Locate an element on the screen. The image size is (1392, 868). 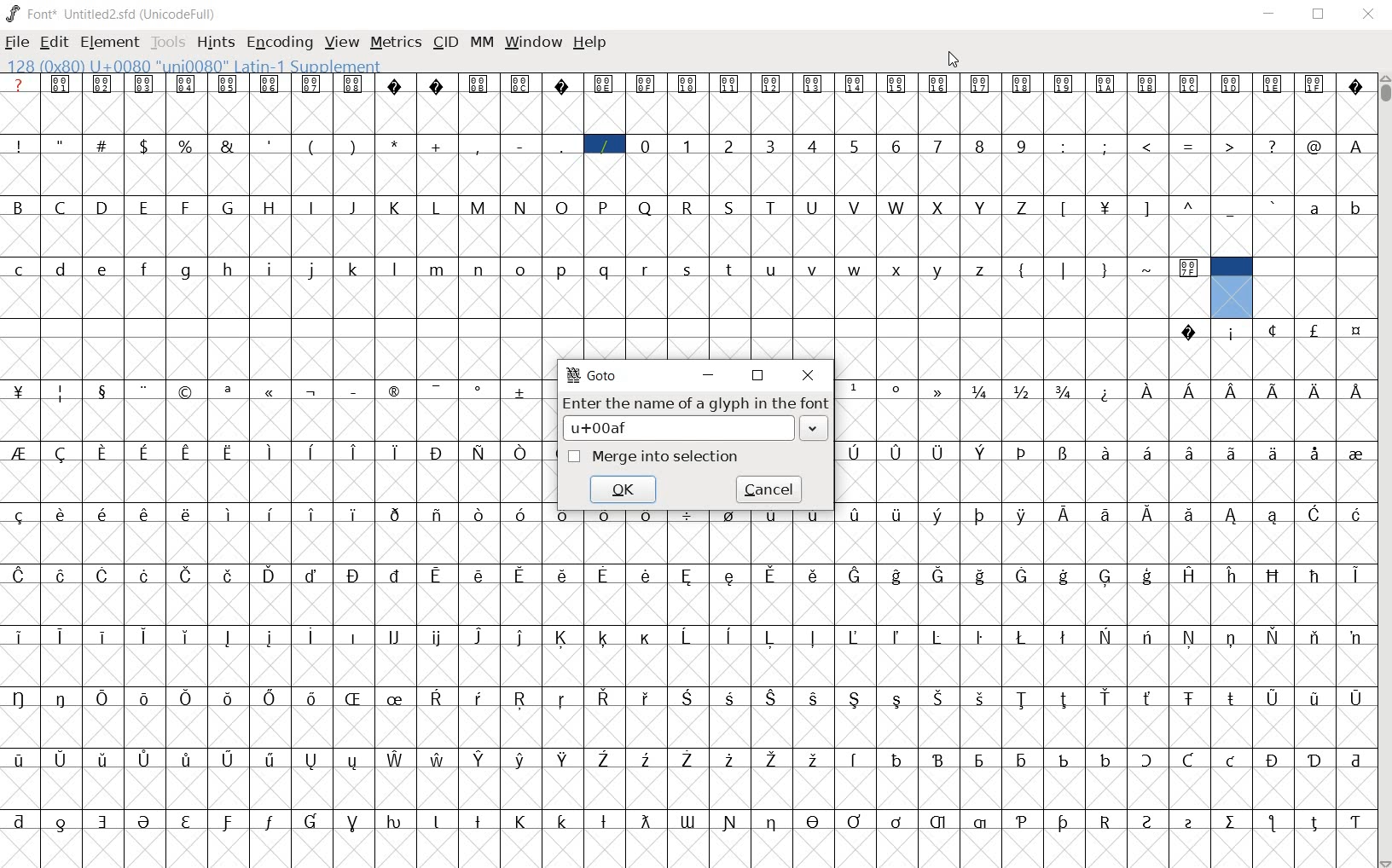
metrics is located at coordinates (397, 42).